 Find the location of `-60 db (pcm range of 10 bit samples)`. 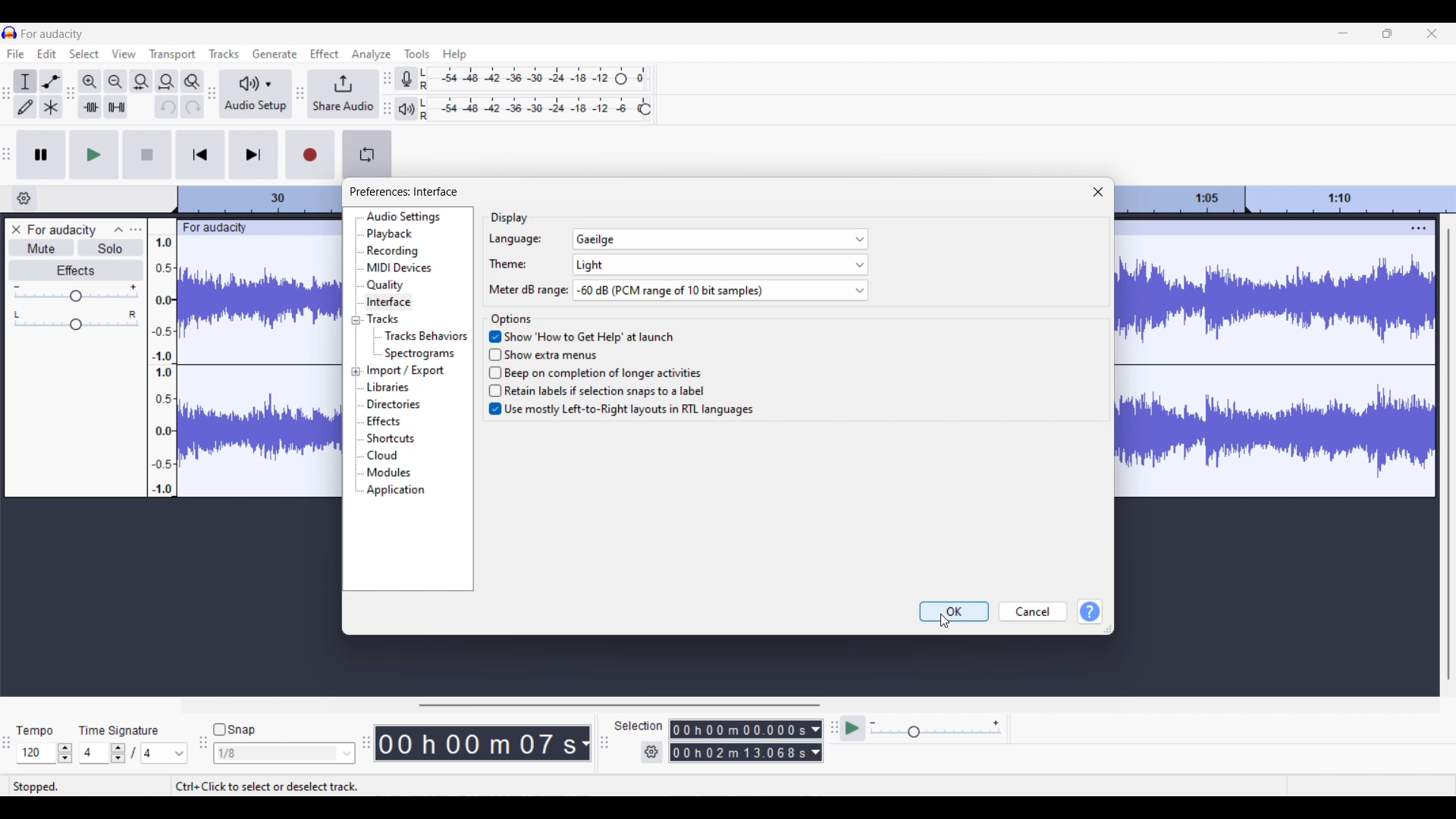

-60 db (pcm range of 10 bit samples) is located at coordinates (720, 290).